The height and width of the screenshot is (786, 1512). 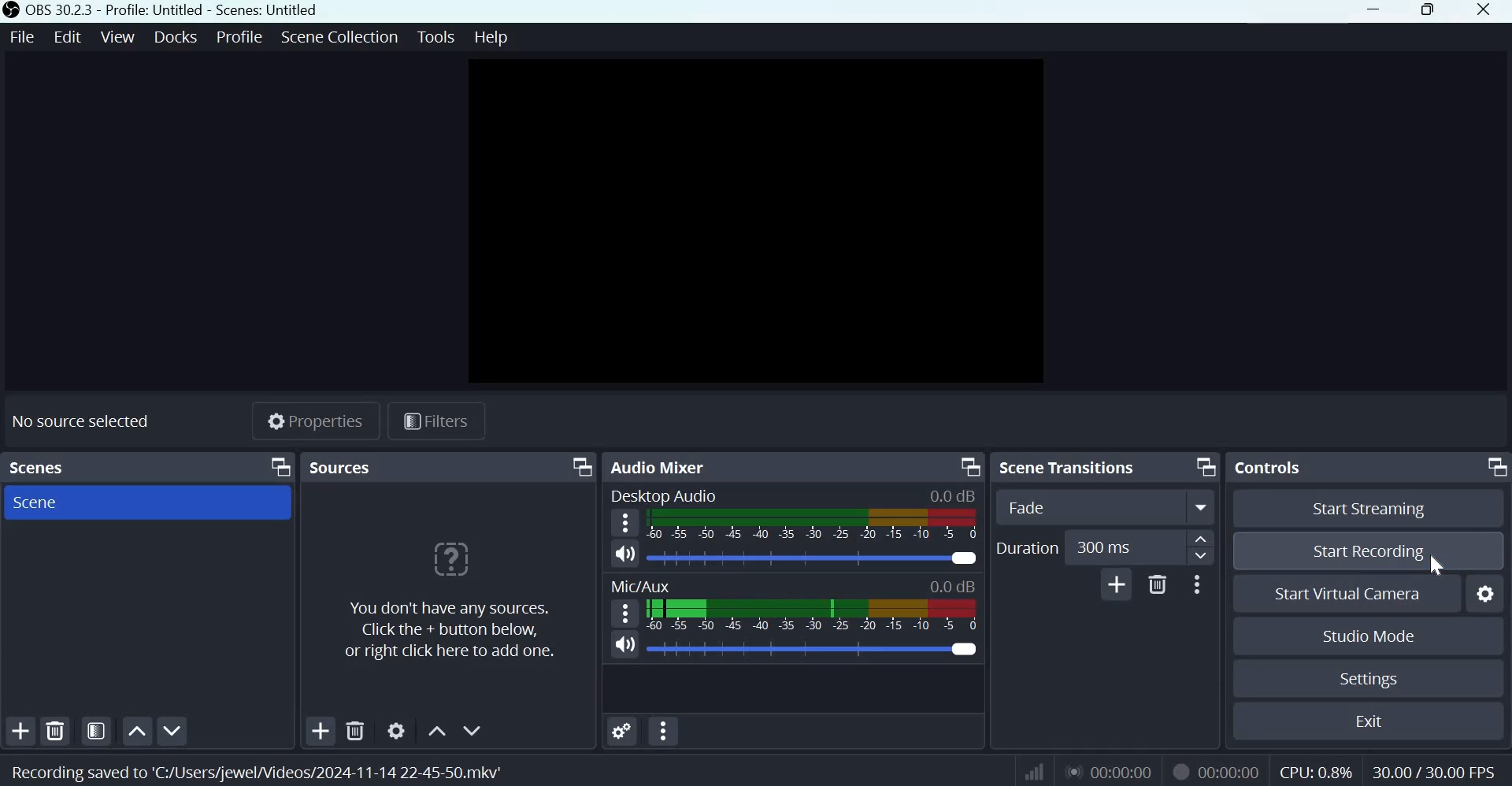 I want to click on View, so click(x=119, y=36).